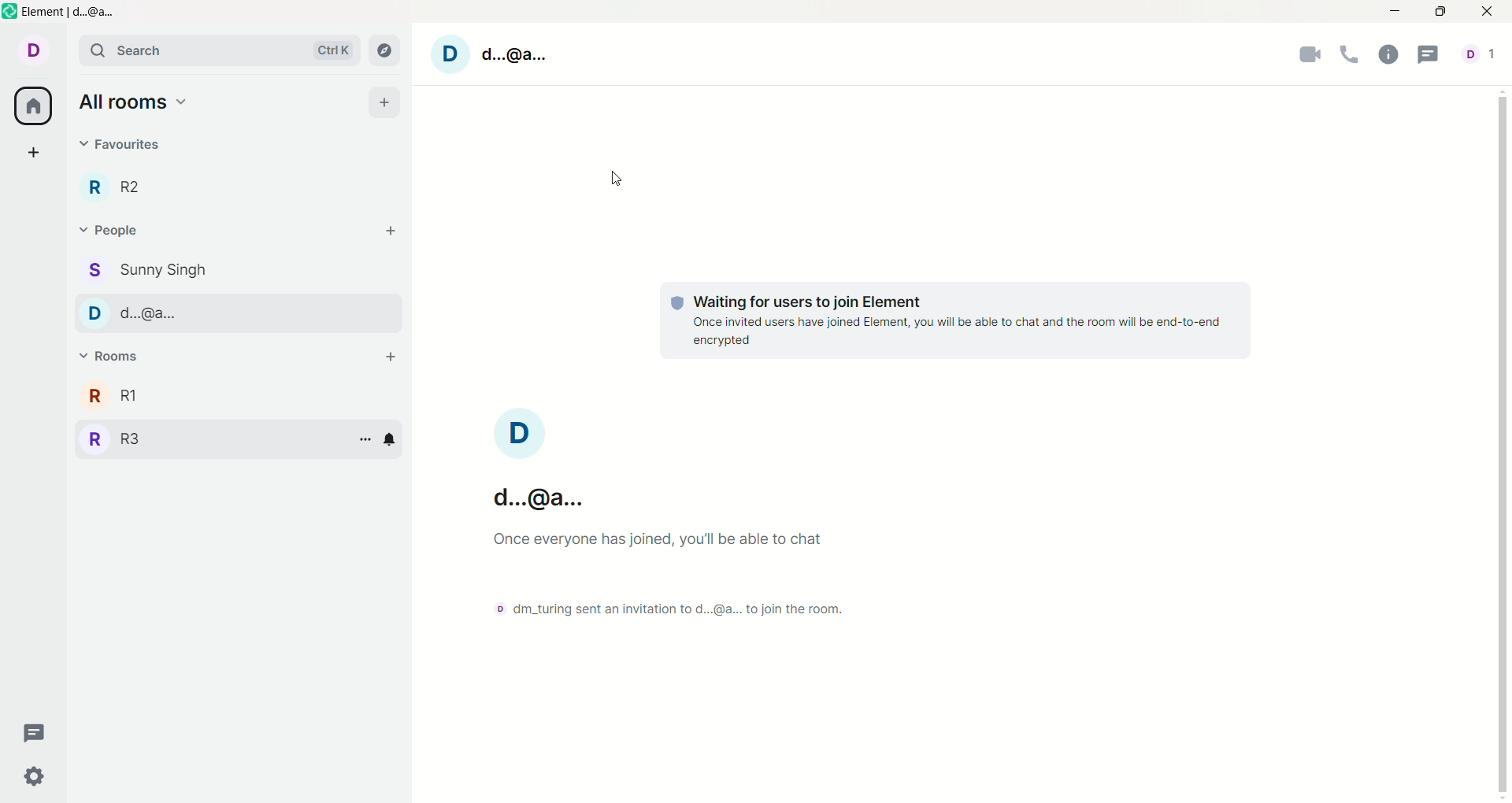 The width and height of the screenshot is (1512, 803). What do you see at coordinates (541, 461) in the screenshot?
I see `account` at bounding box center [541, 461].